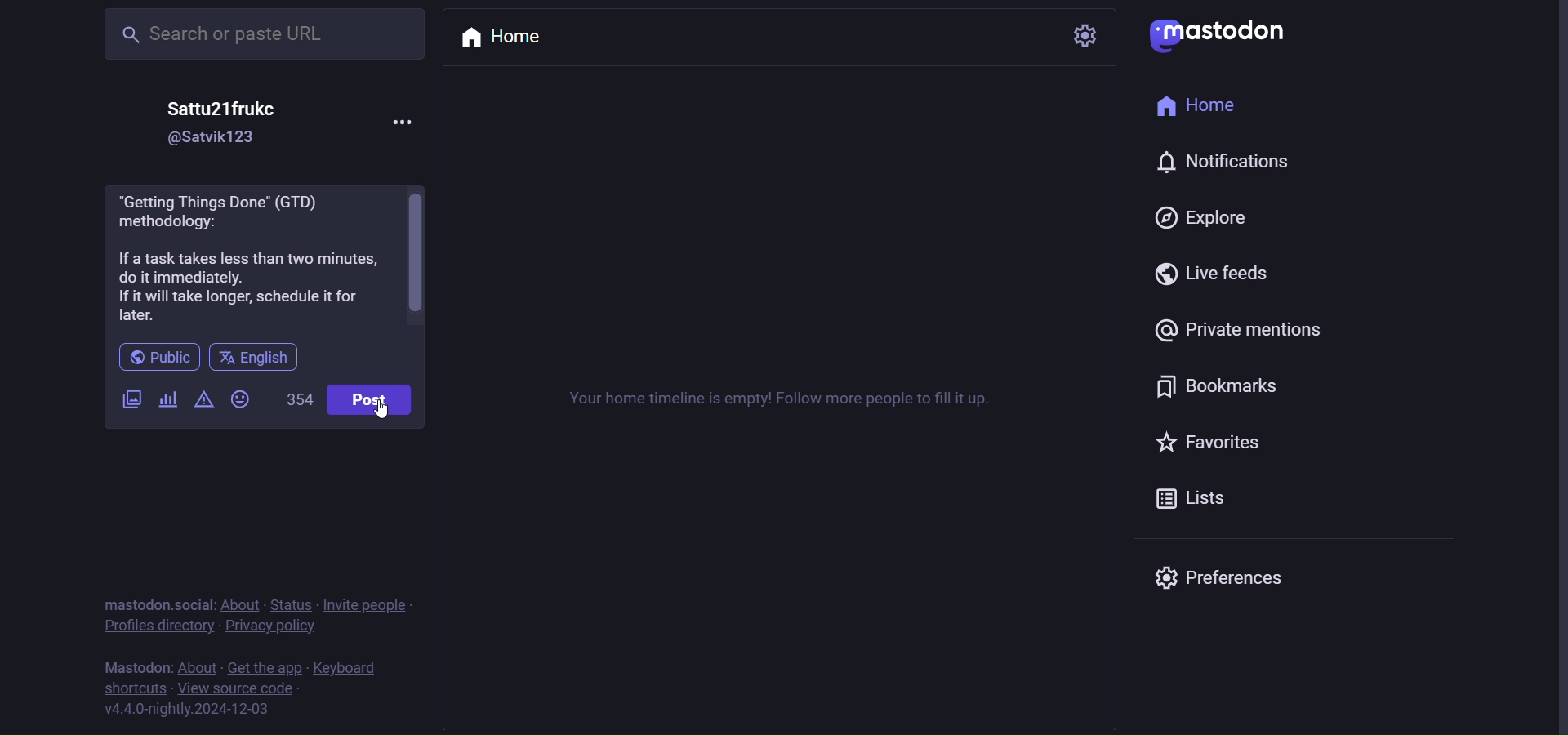 The width and height of the screenshot is (1568, 735). What do you see at coordinates (1225, 163) in the screenshot?
I see `notifiation` at bounding box center [1225, 163].